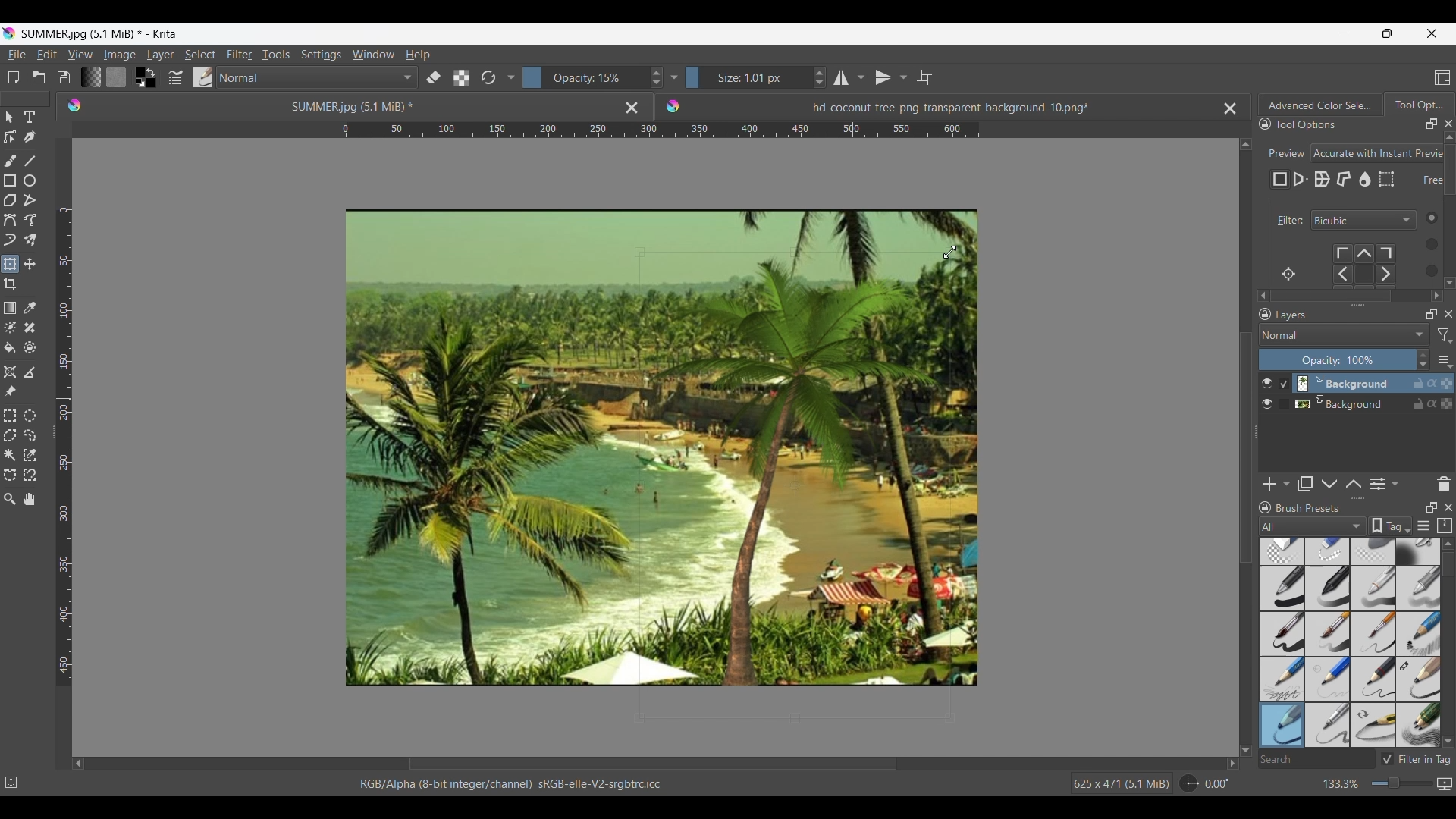 The image size is (1456, 819). What do you see at coordinates (661, 132) in the screenshot?
I see `Horizontal ruler` at bounding box center [661, 132].